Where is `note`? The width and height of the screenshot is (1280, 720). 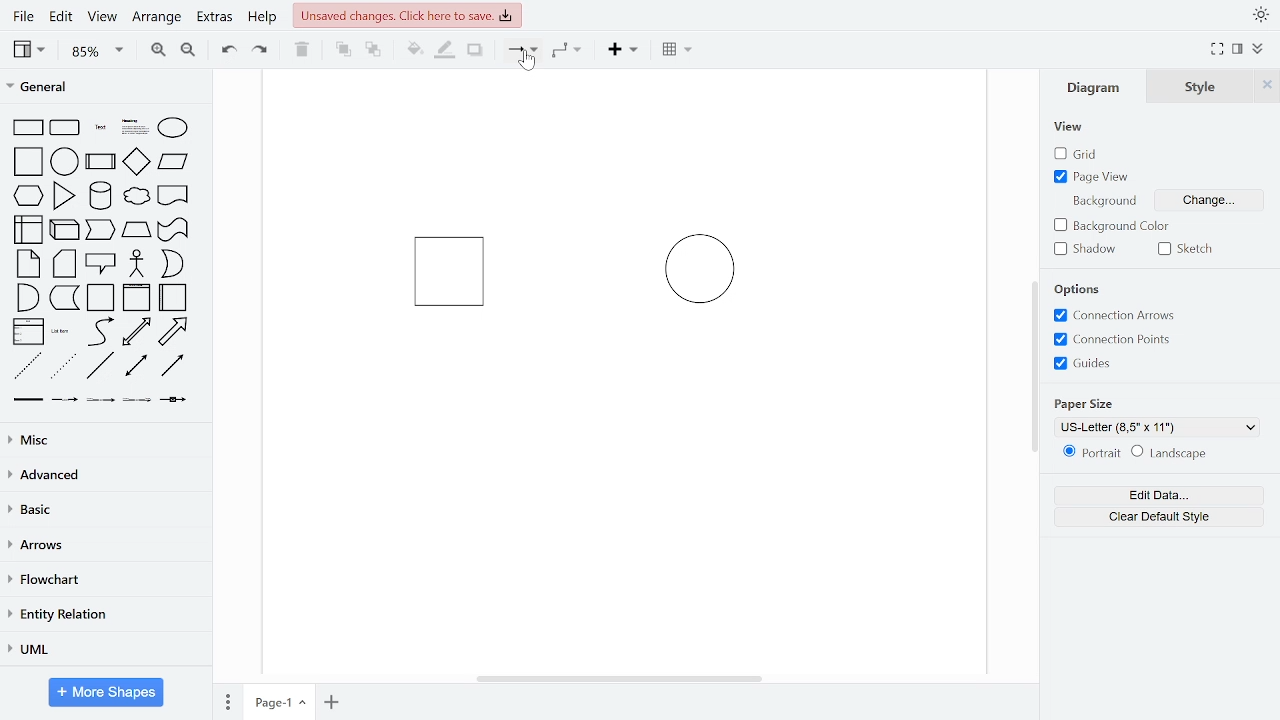 note is located at coordinates (30, 263).